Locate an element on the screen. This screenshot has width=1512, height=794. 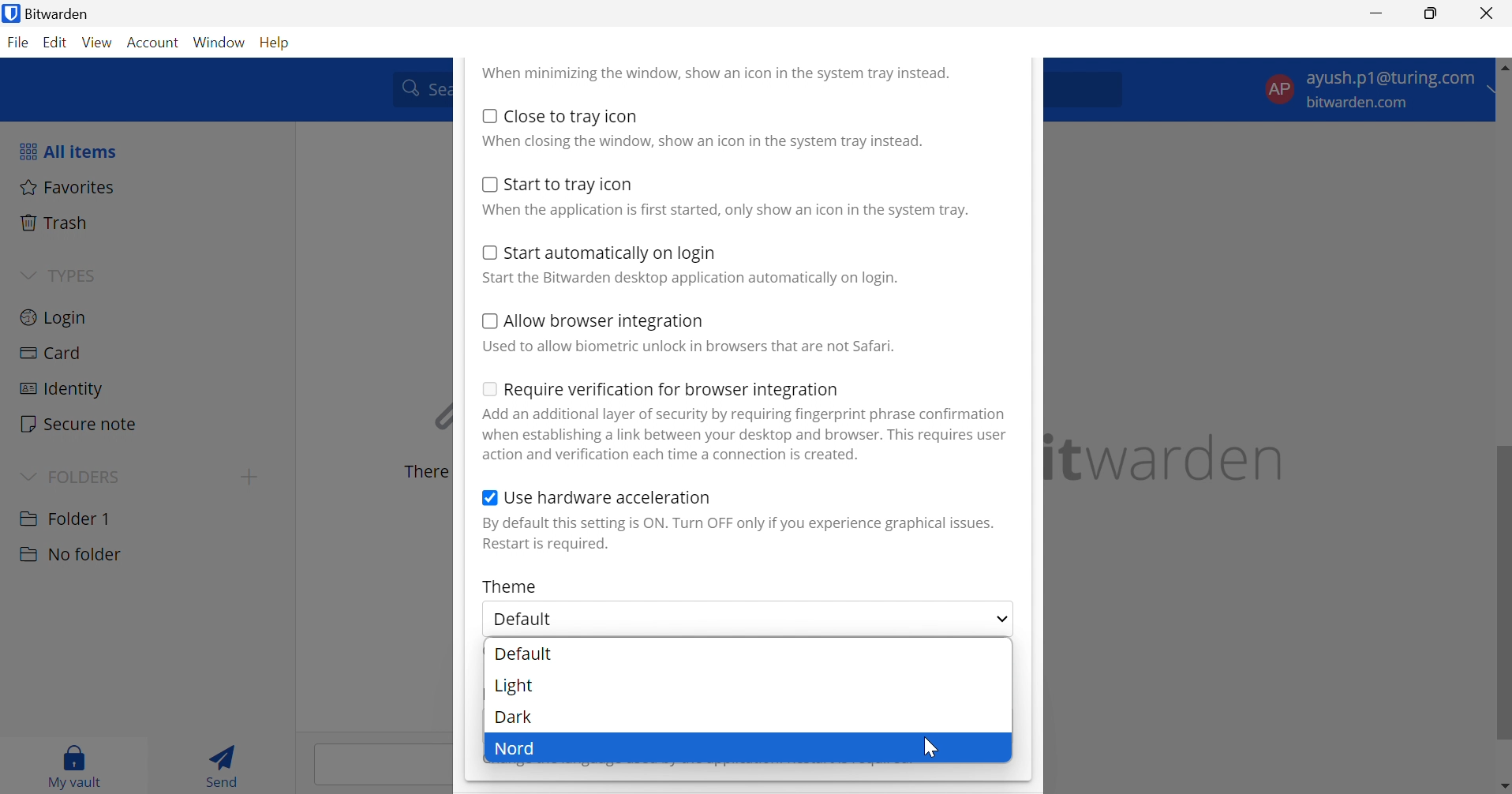
Search vault is located at coordinates (417, 88).